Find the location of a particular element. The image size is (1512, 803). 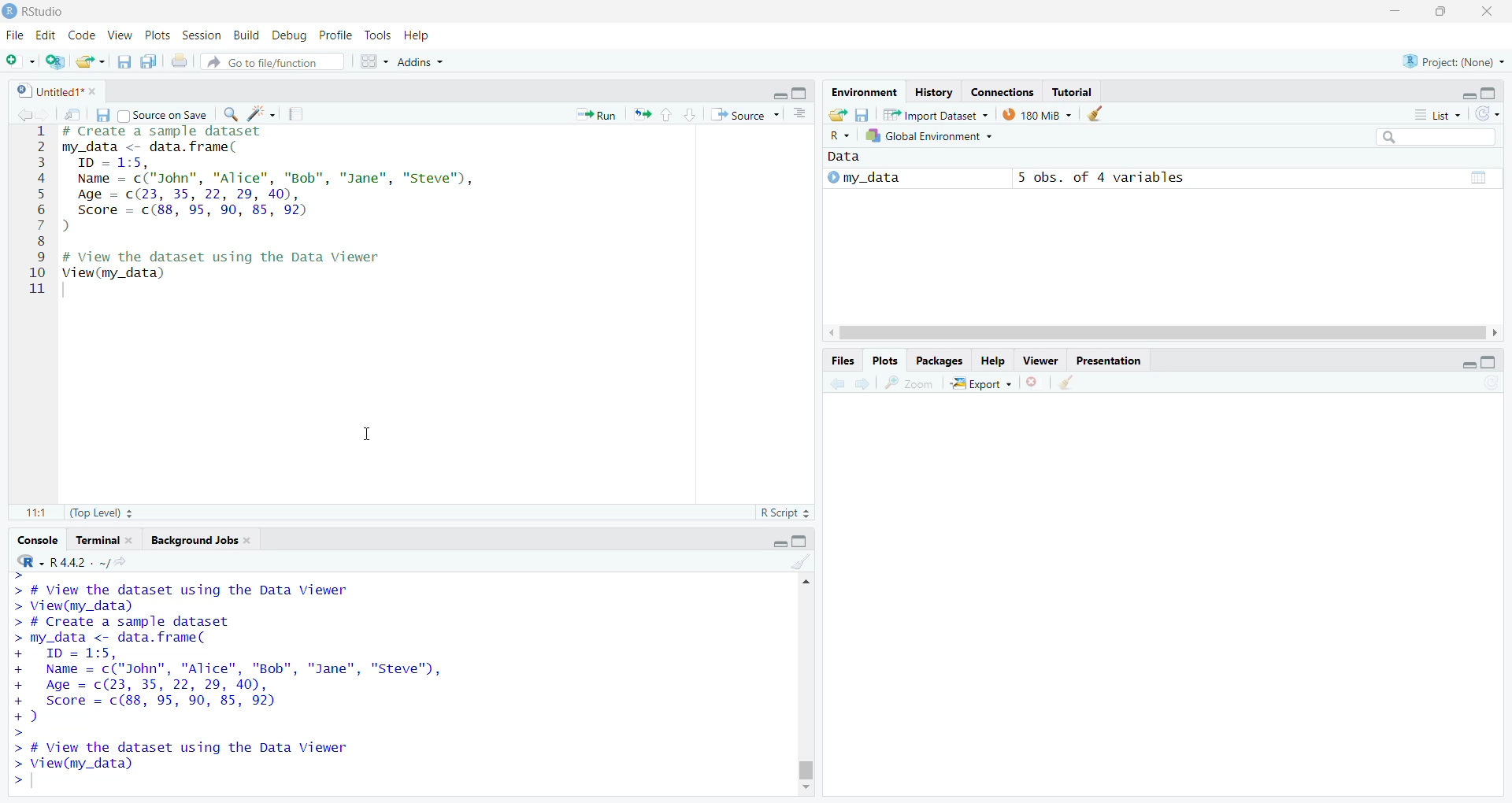

Viewer is located at coordinates (1039, 361).